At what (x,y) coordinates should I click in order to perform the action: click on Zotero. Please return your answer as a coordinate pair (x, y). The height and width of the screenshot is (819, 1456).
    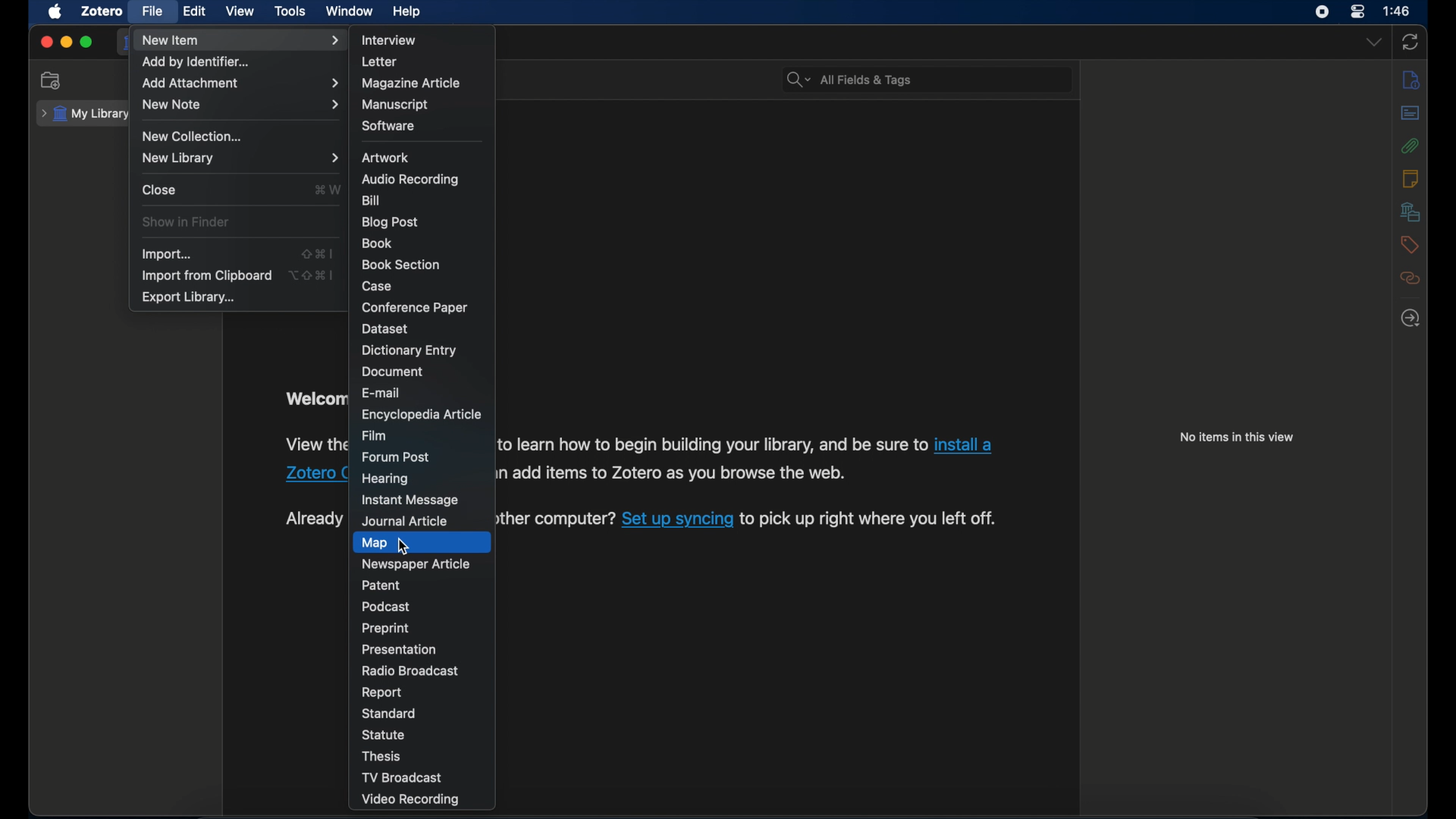
    Looking at the image, I should click on (299, 475).